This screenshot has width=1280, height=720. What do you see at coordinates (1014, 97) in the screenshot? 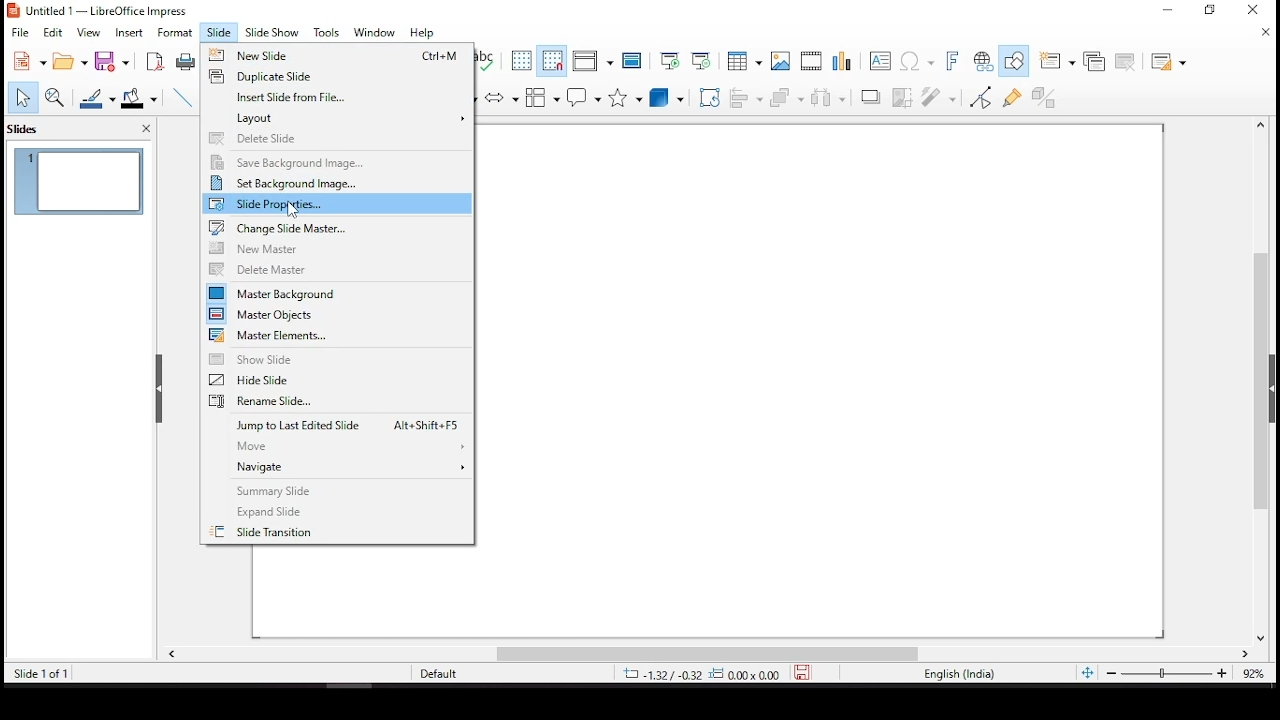
I see `show gluepoint functions` at bounding box center [1014, 97].